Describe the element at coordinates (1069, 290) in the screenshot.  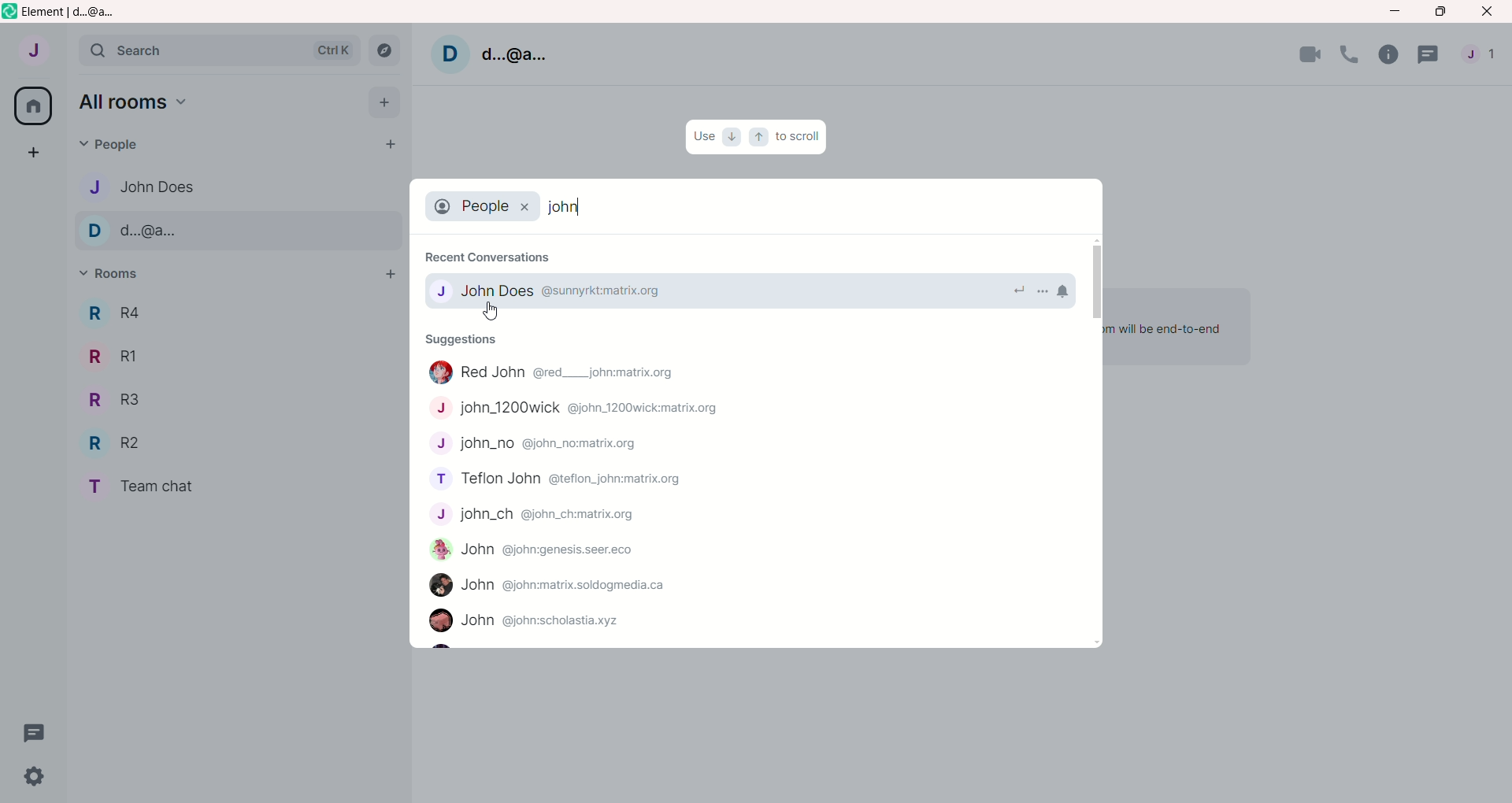
I see `notification options` at that location.